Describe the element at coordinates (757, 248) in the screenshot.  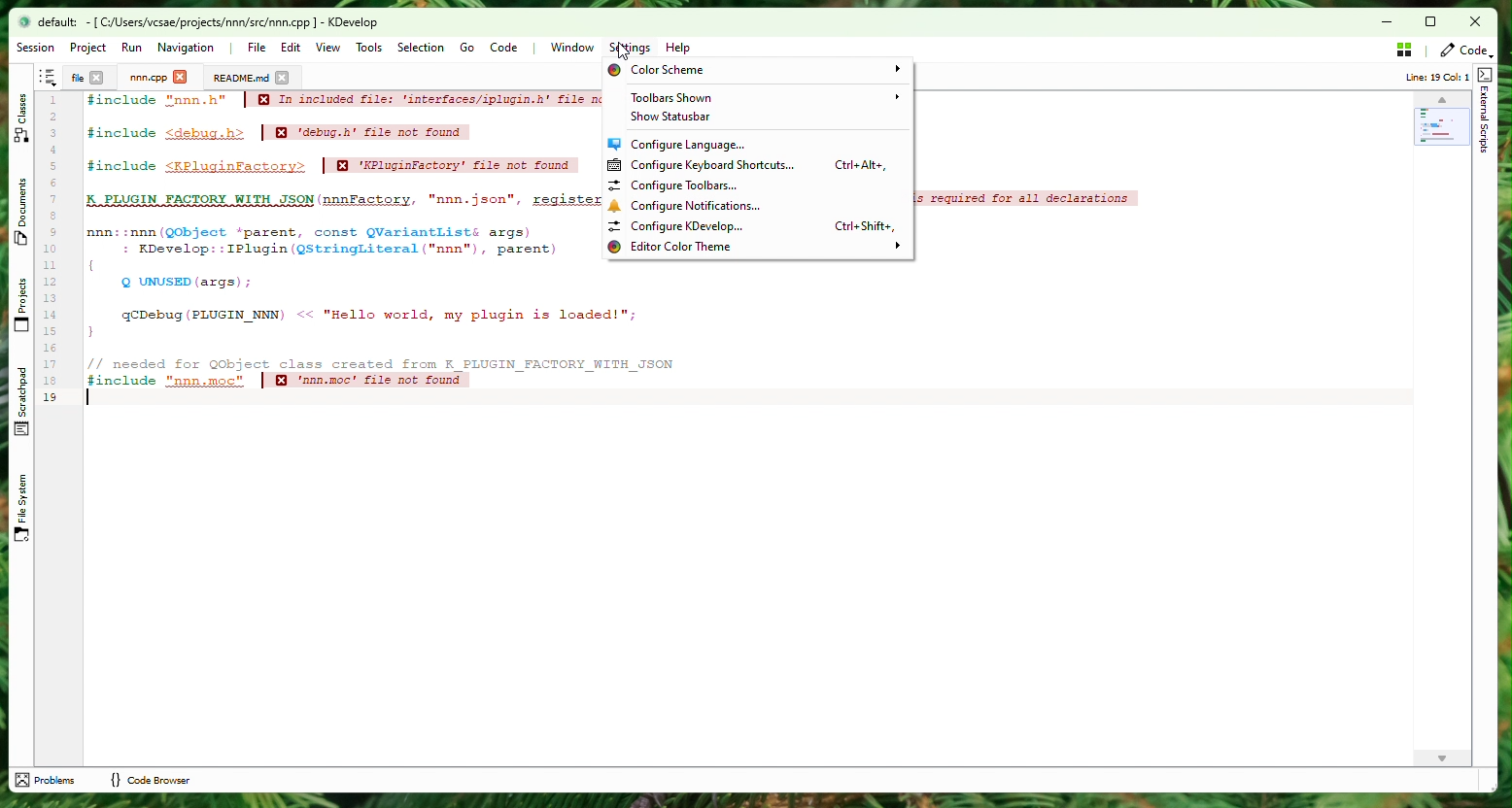
I see `Editor color theme` at that location.